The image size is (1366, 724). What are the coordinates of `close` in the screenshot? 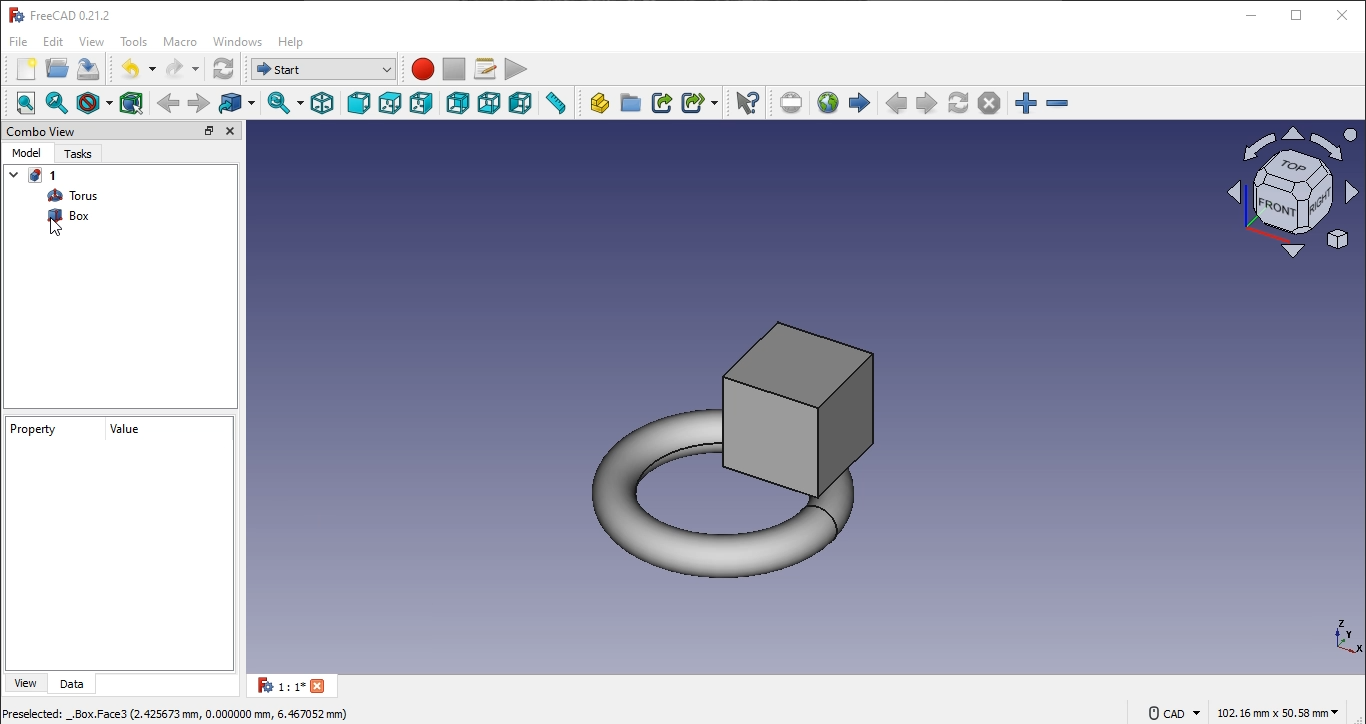 It's located at (1342, 13).